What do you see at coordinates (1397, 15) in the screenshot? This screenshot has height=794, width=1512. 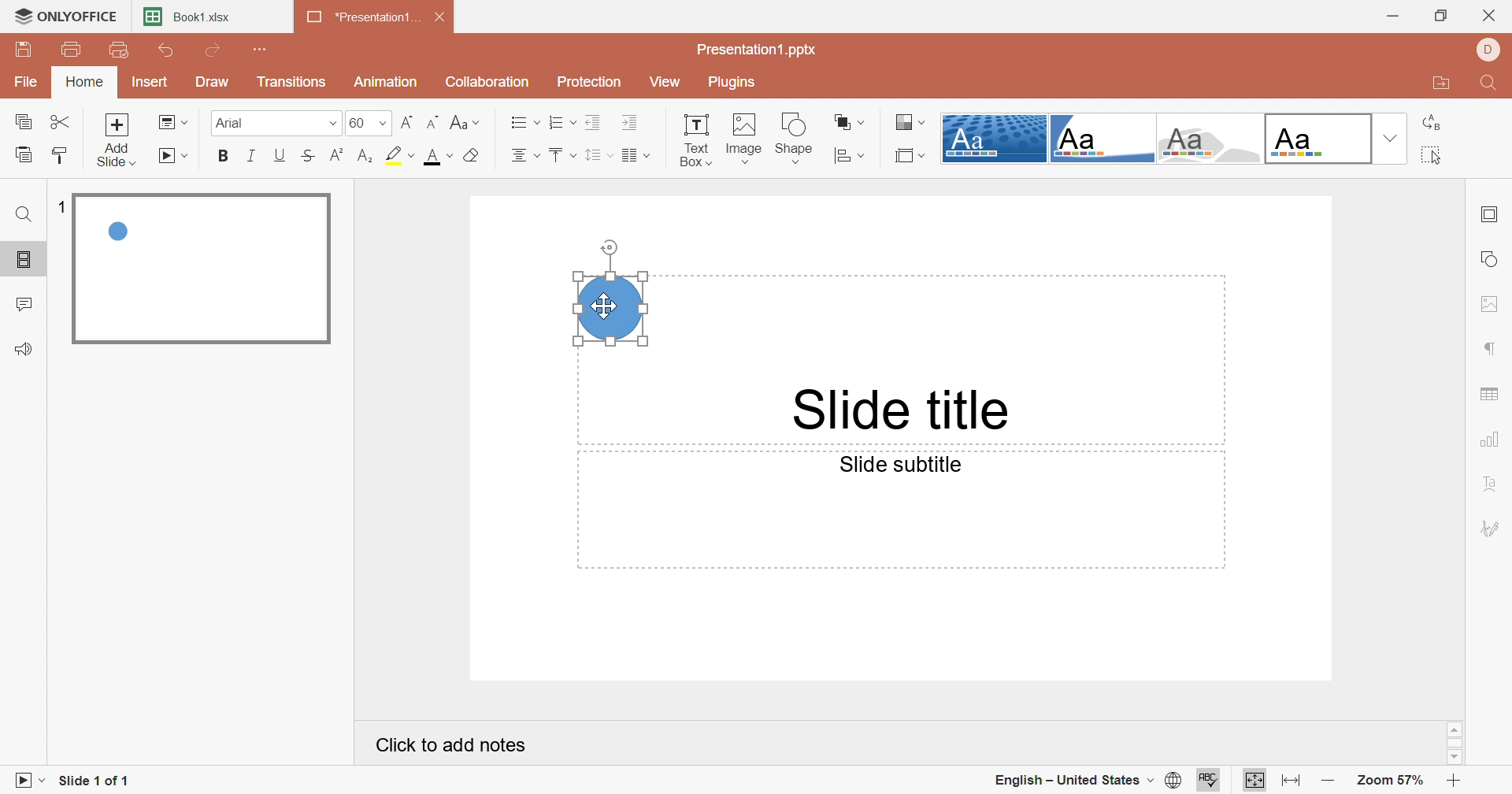 I see `Minimize` at bounding box center [1397, 15].